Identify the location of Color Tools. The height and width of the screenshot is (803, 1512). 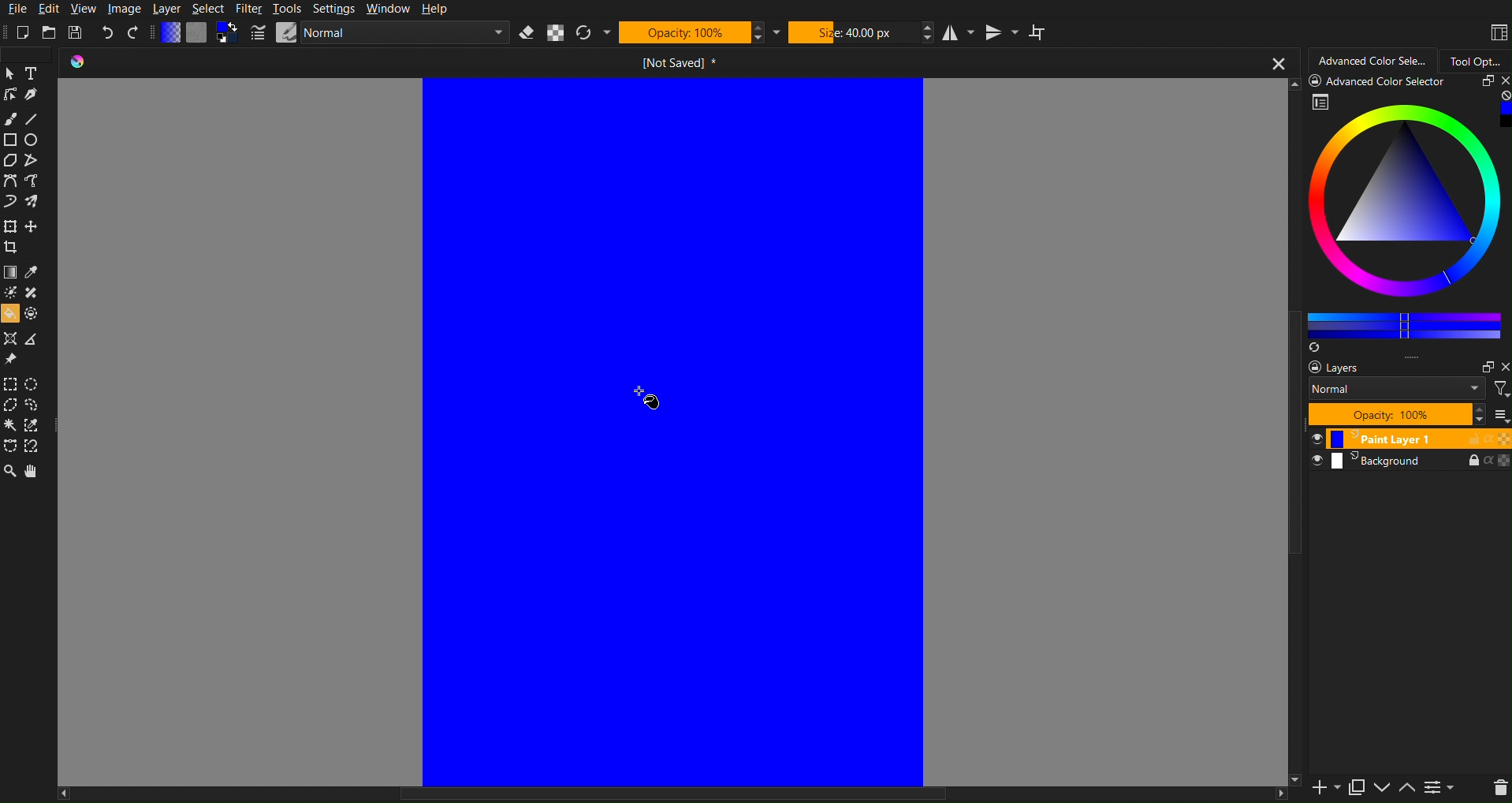
(28, 291).